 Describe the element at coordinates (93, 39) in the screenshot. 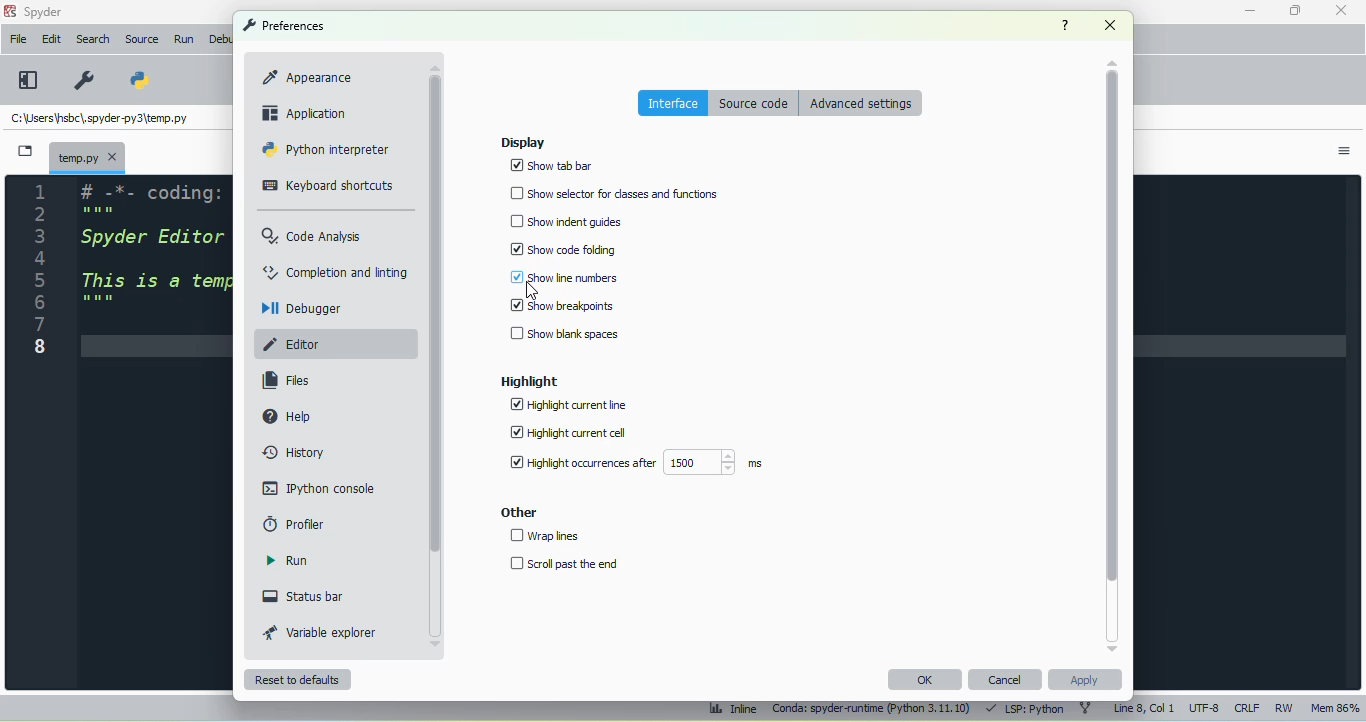

I see `search` at that location.